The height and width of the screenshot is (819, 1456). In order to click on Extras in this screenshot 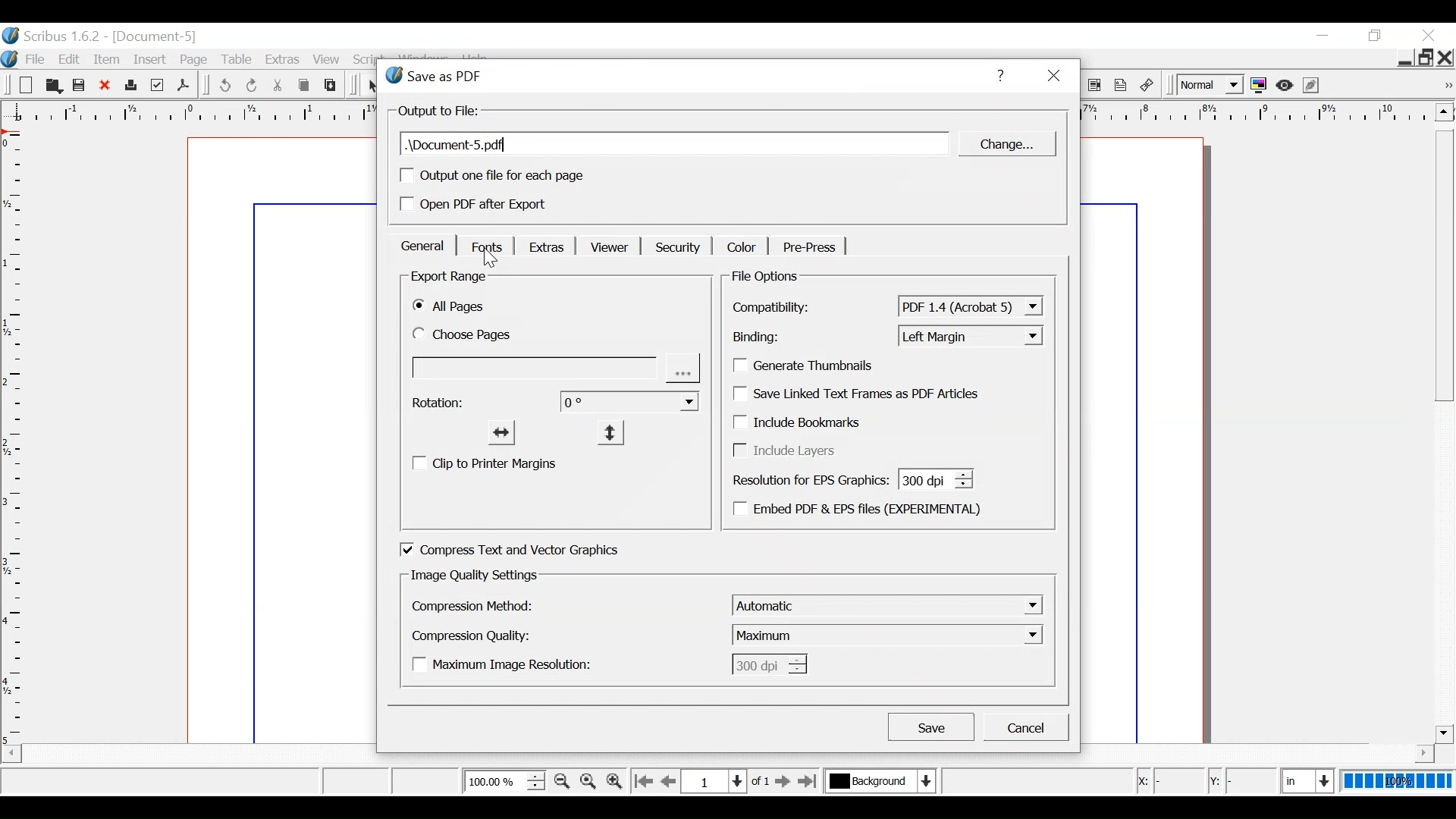, I will do `click(544, 246)`.